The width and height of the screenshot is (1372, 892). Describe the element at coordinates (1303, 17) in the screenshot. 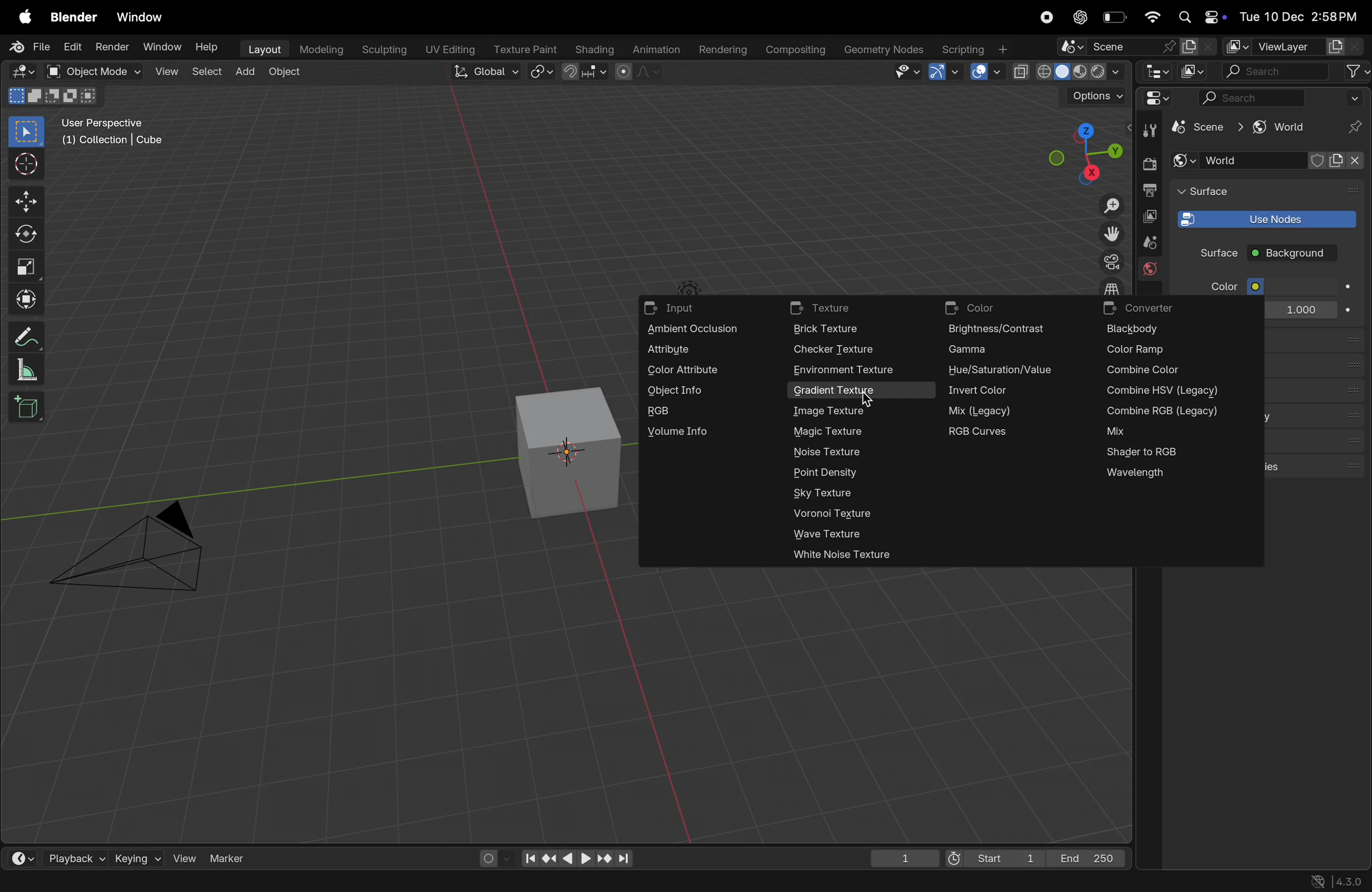

I see `date and time` at that location.